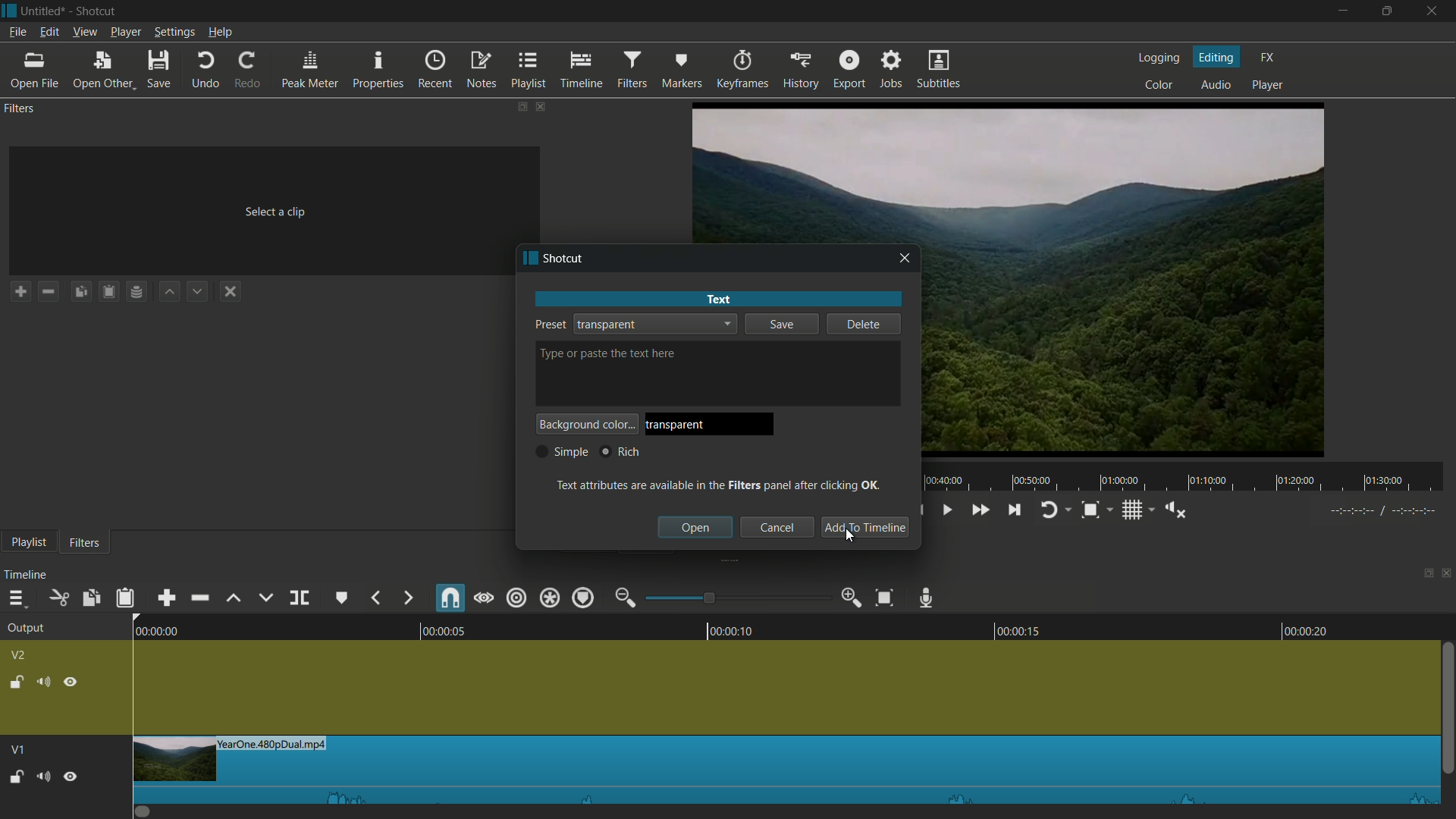 This screenshot has width=1456, height=819. I want to click on redo, so click(249, 70).